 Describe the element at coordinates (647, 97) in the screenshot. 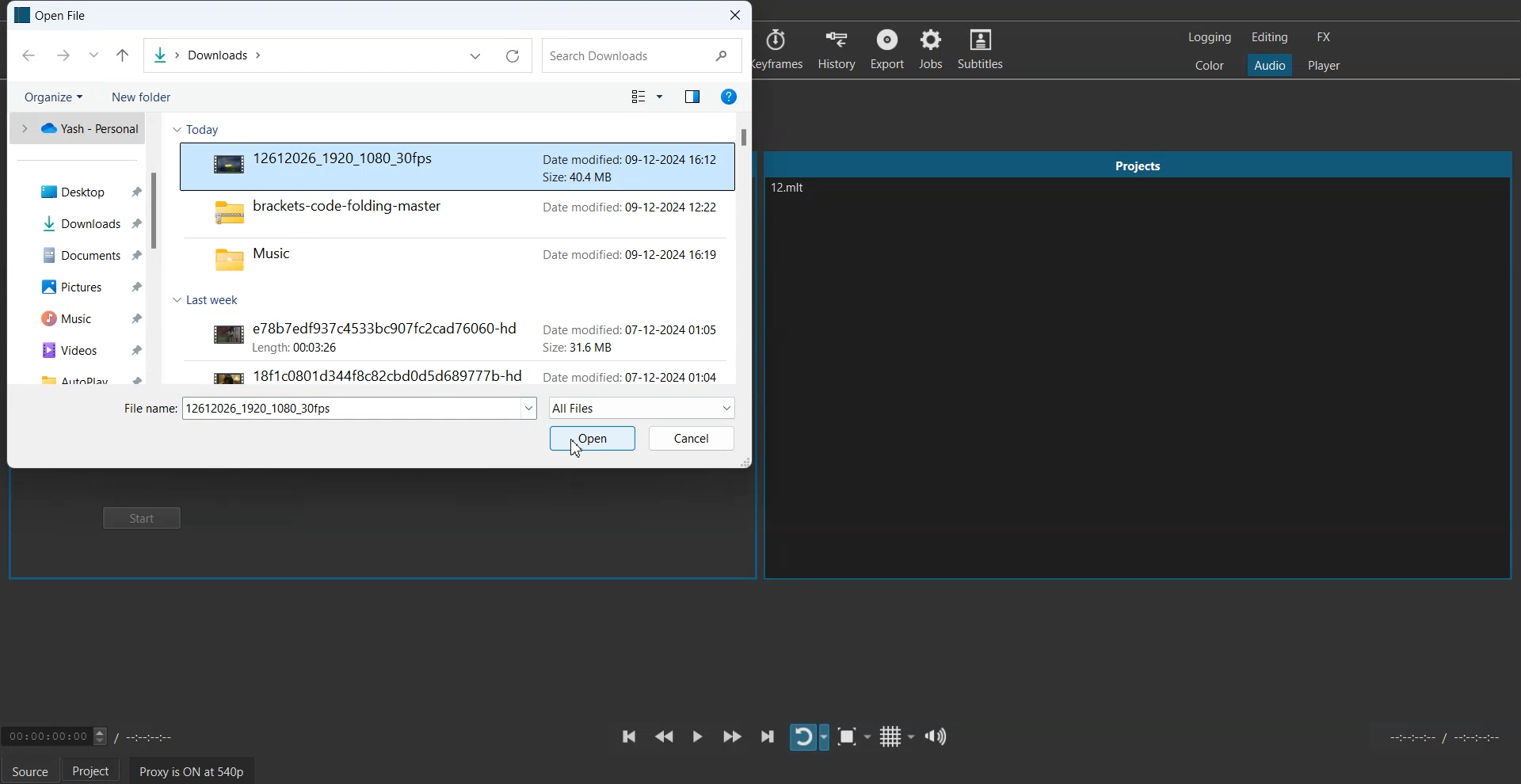

I see `Change your view` at that location.